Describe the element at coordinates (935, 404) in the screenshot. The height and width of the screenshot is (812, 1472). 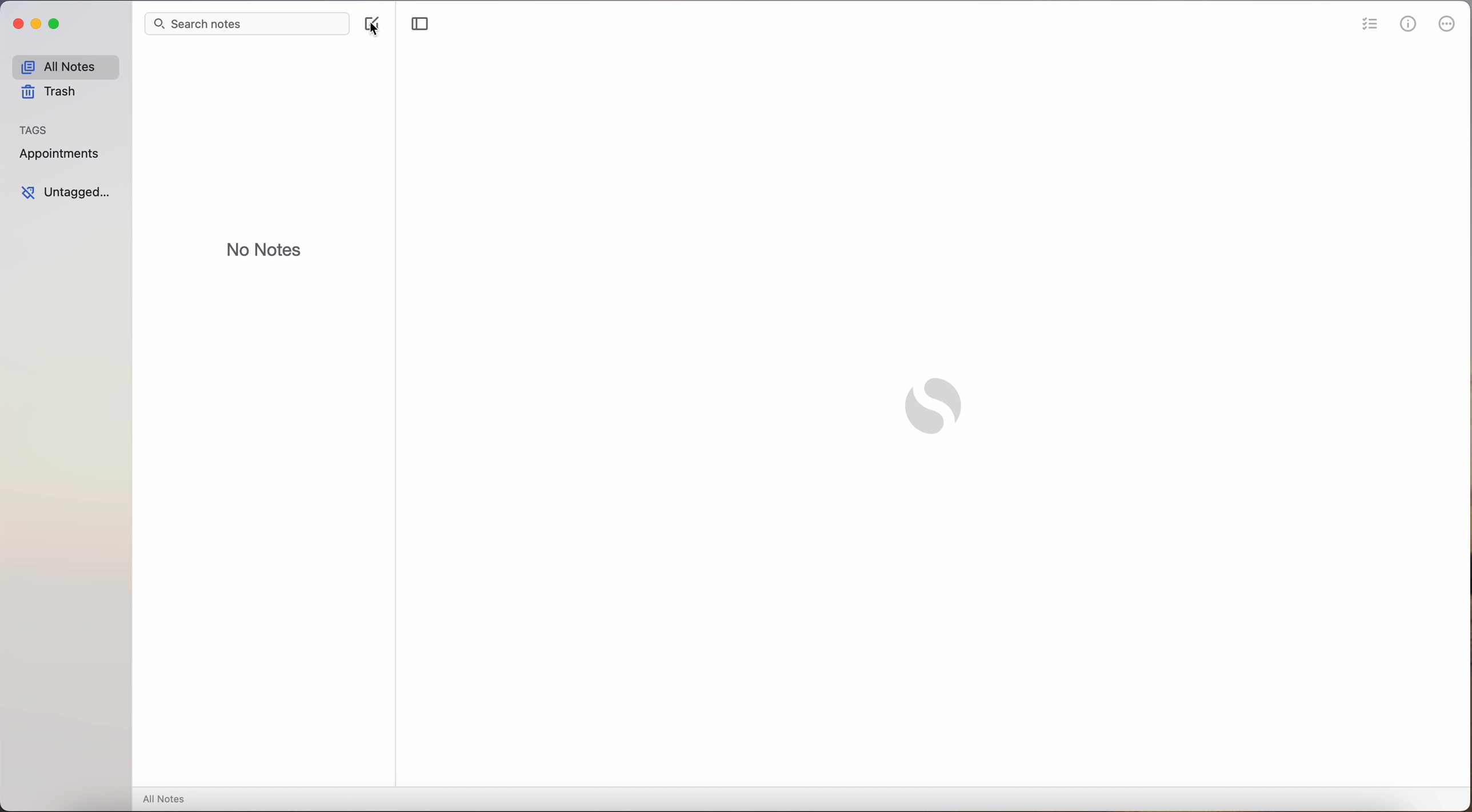
I see `Simplenote logo` at that location.